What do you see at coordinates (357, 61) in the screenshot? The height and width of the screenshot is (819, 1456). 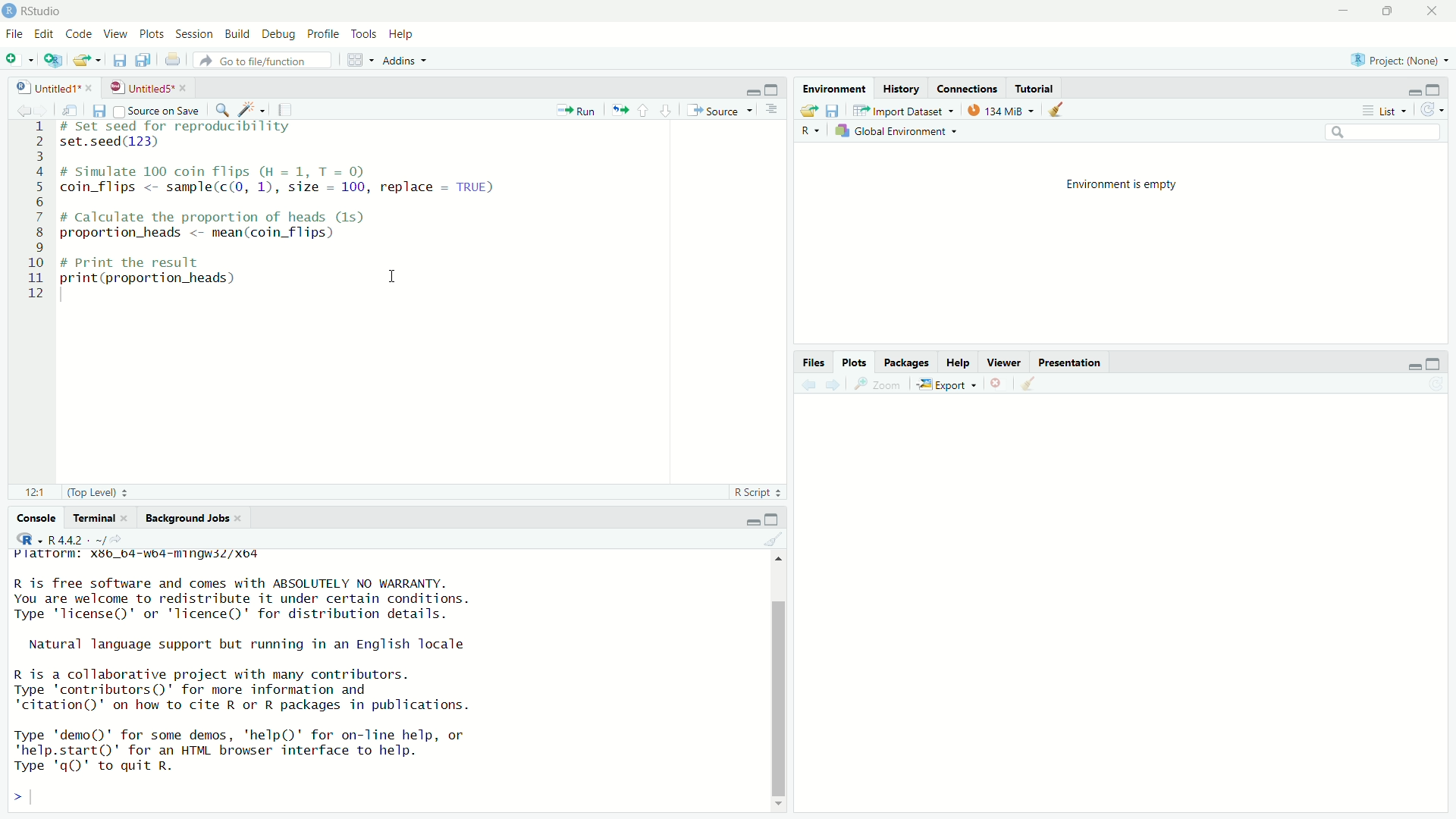 I see `workspace panes` at bounding box center [357, 61].